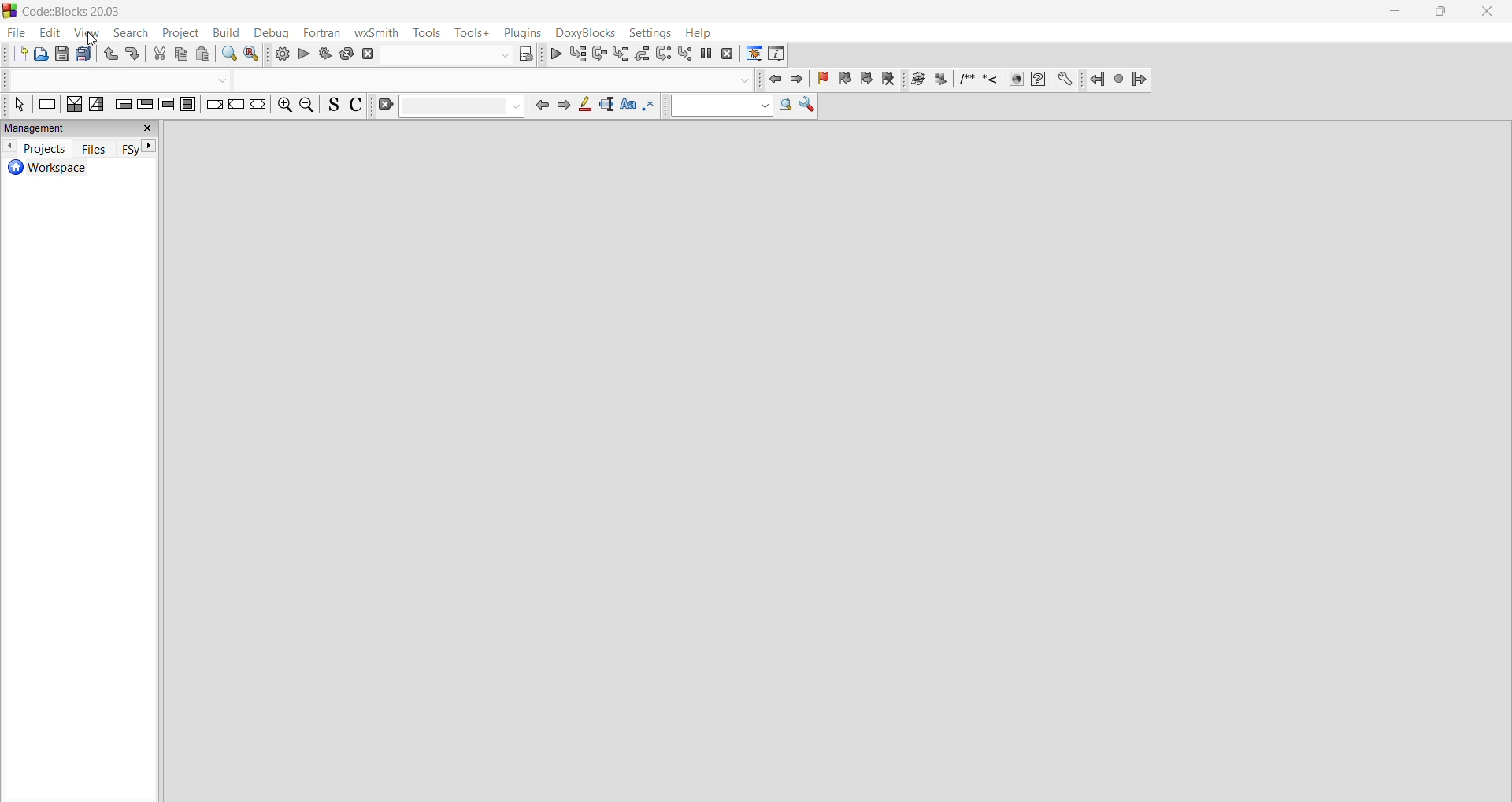  What do you see at coordinates (155, 146) in the screenshot?
I see `next` at bounding box center [155, 146].